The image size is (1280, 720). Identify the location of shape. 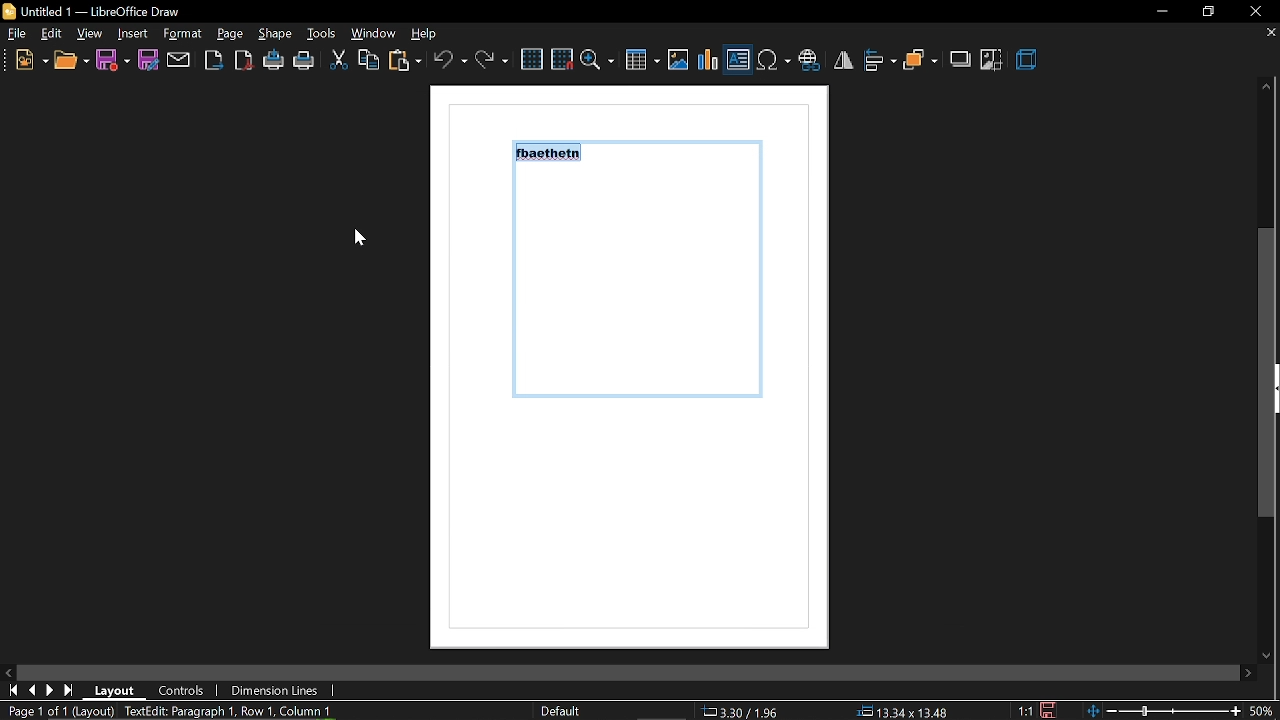
(132, 34).